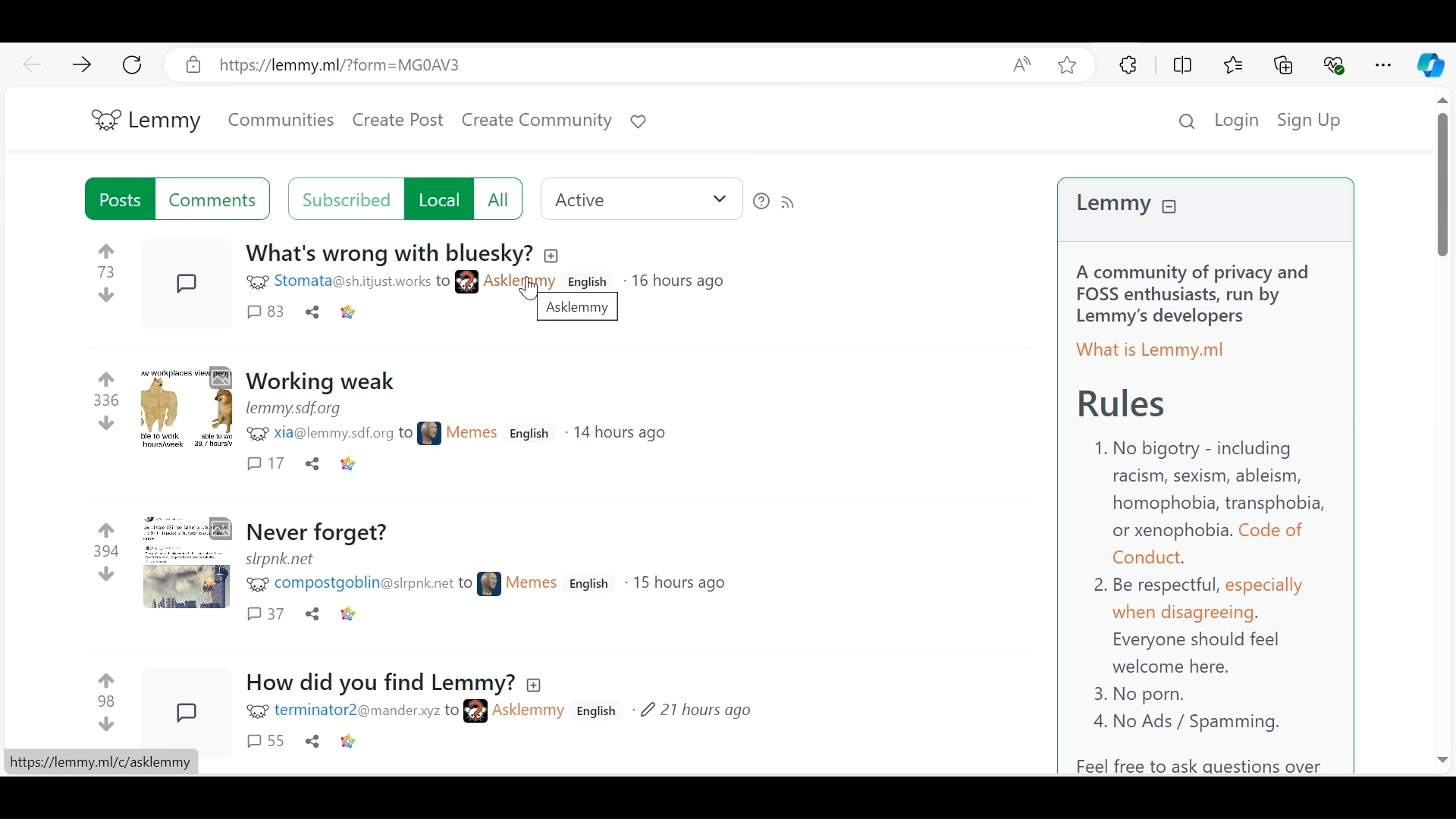  Describe the element at coordinates (789, 201) in the screenshot. I see `RSS` at that location.